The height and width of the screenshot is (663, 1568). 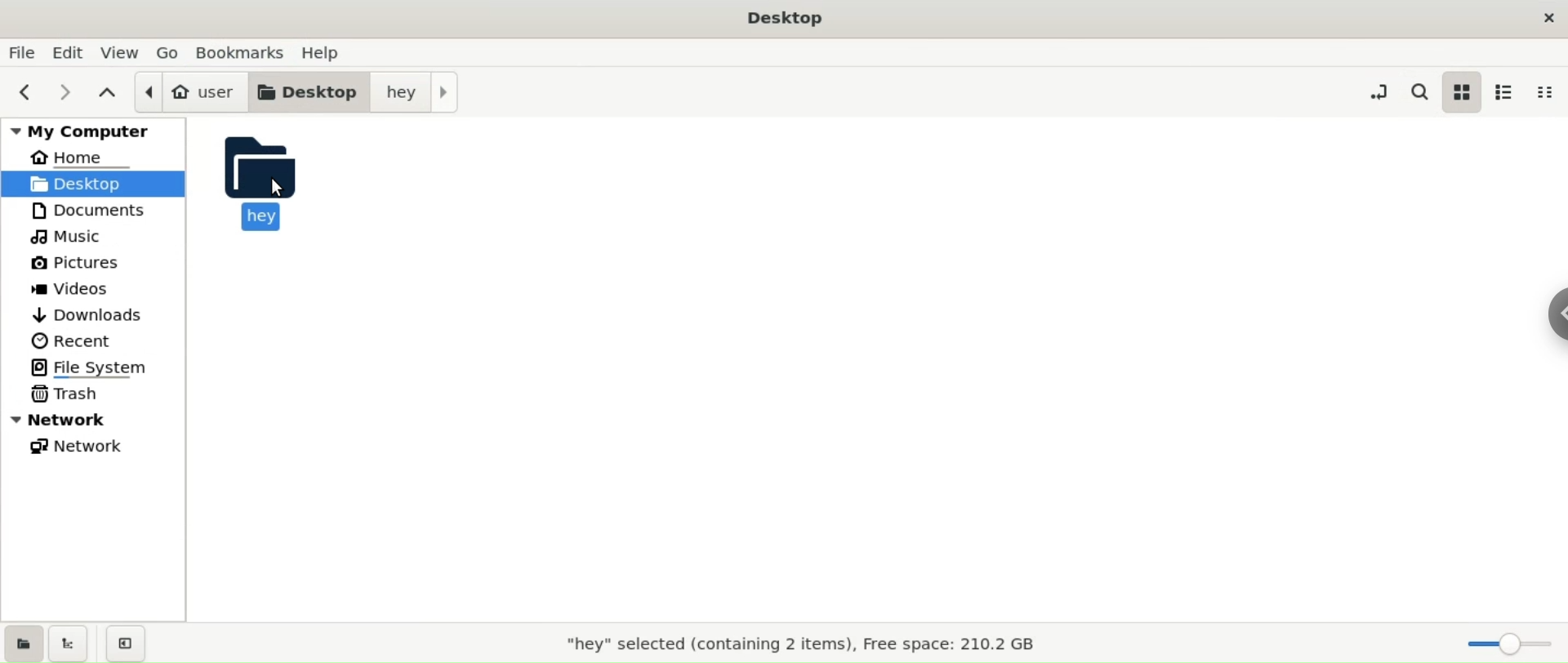 I want to click on close sidebars, so click(x=123, y=643).